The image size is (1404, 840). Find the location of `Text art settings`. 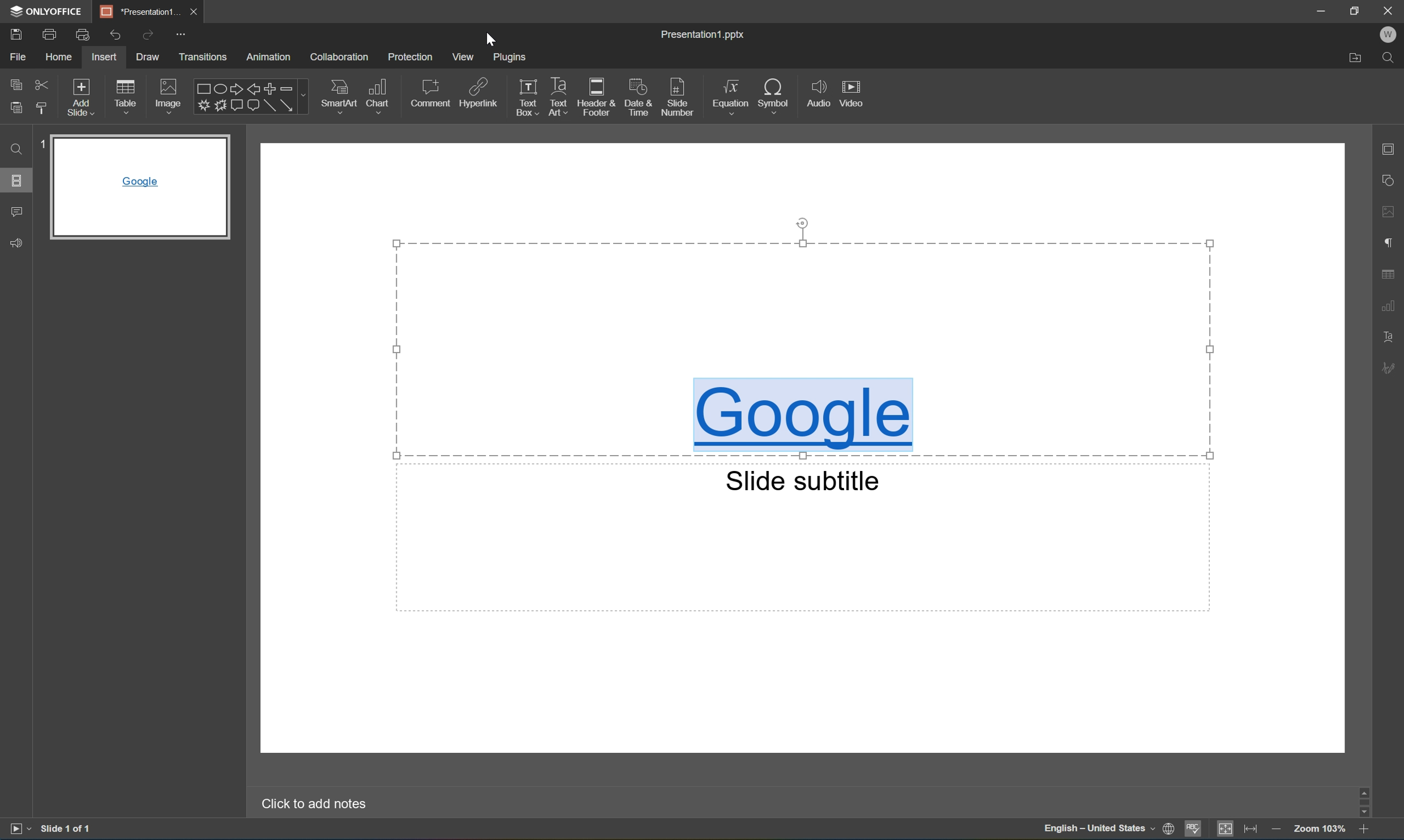

Text art settings is located at coordinates (1393, 335).